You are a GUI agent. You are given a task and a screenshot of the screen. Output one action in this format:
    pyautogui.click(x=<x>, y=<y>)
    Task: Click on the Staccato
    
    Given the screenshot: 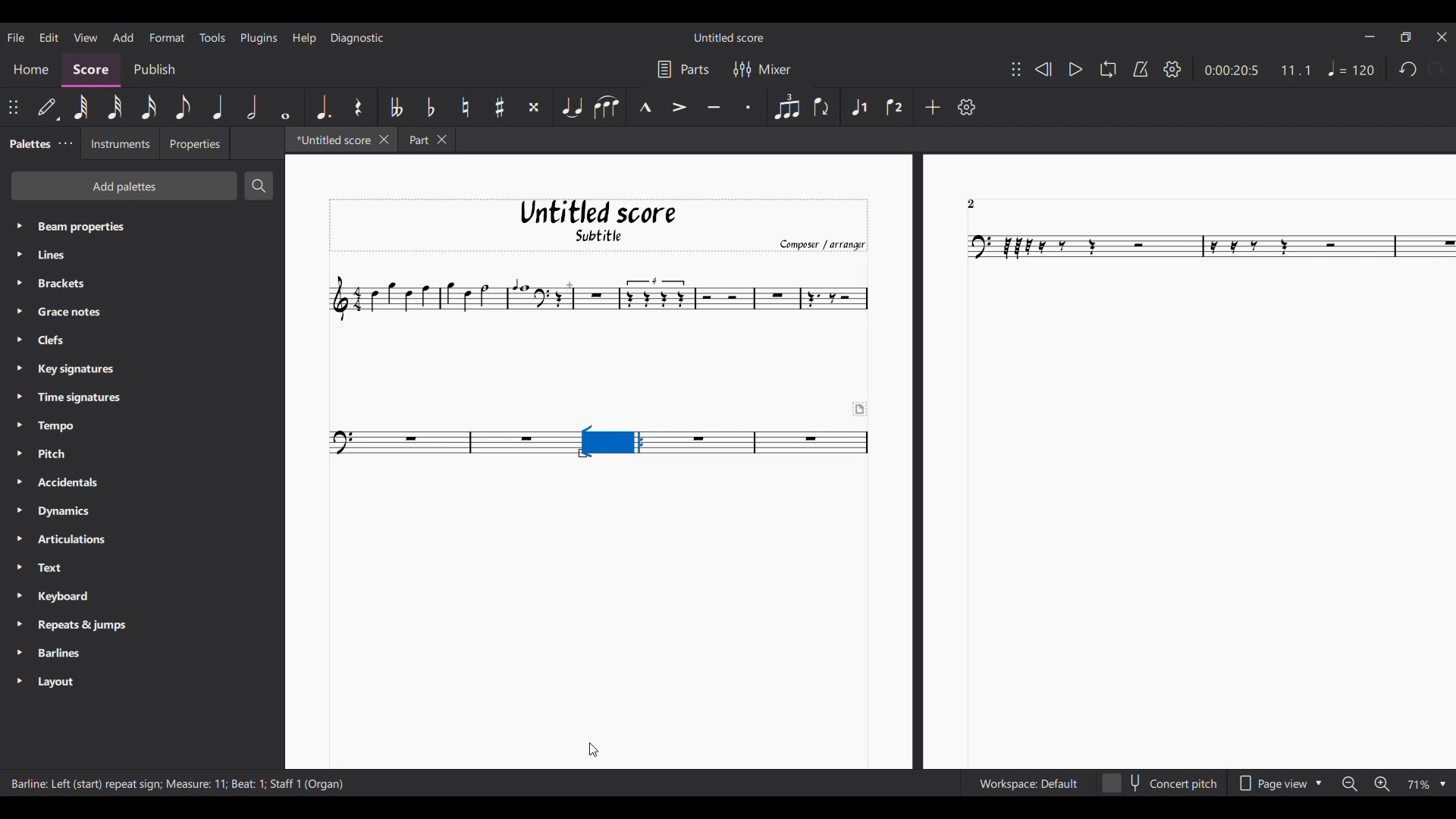 What is the action you would take?
    pyautogui.click(x=749, y=106)
    